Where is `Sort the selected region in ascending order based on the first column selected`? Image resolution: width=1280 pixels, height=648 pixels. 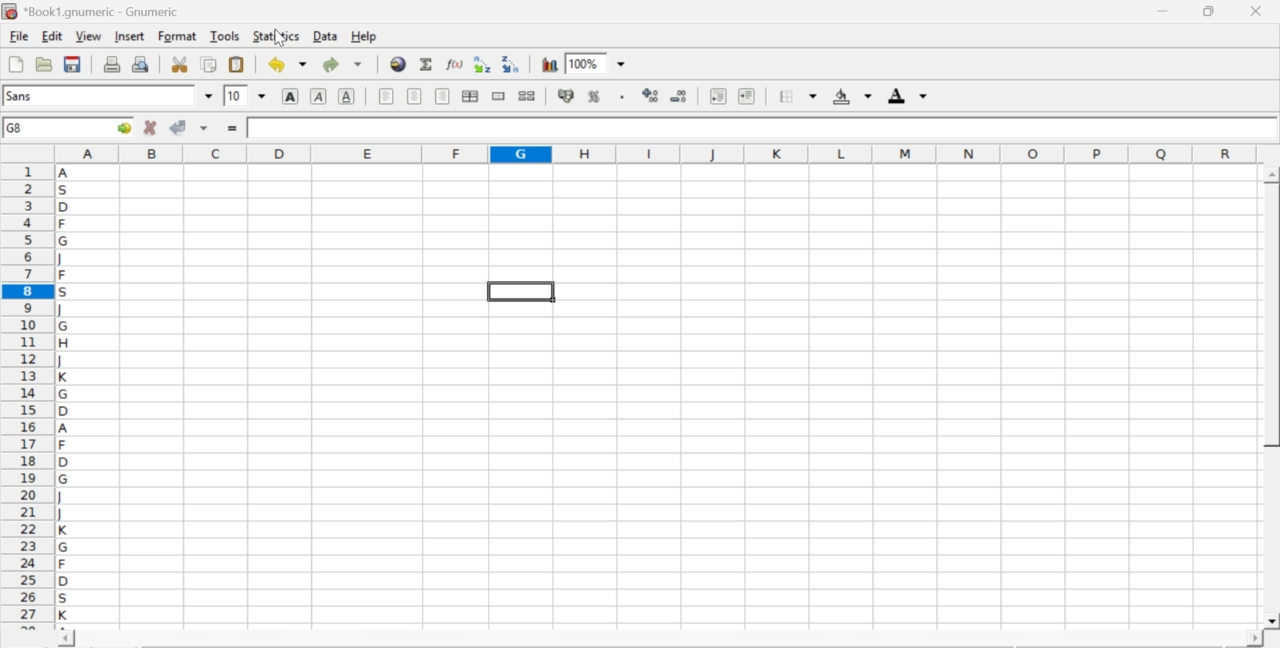 Sort the selected region in ascending order based on the first column selected is located at coordinates (485, 64).